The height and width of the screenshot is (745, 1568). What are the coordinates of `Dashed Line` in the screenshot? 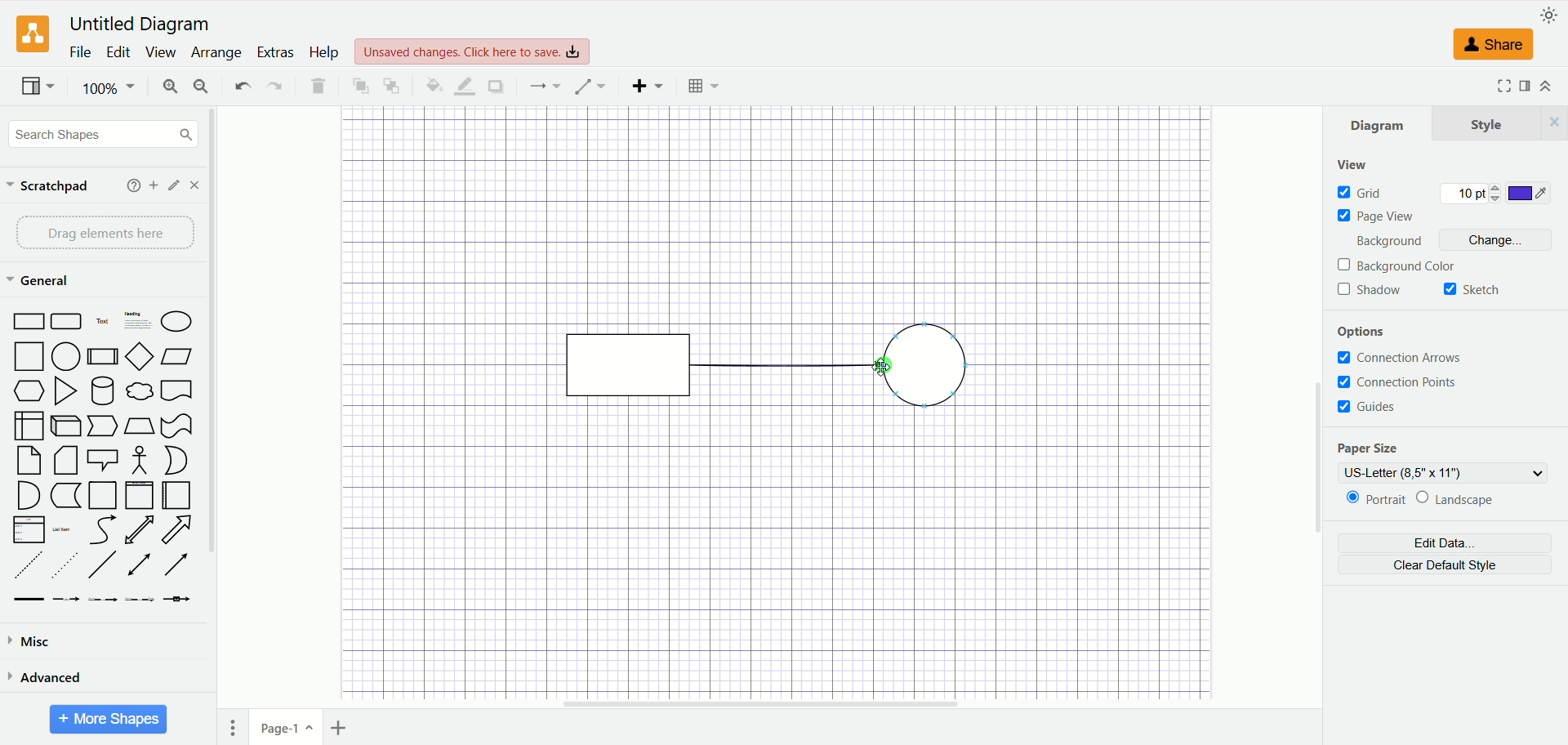 It's located at (31, 564).